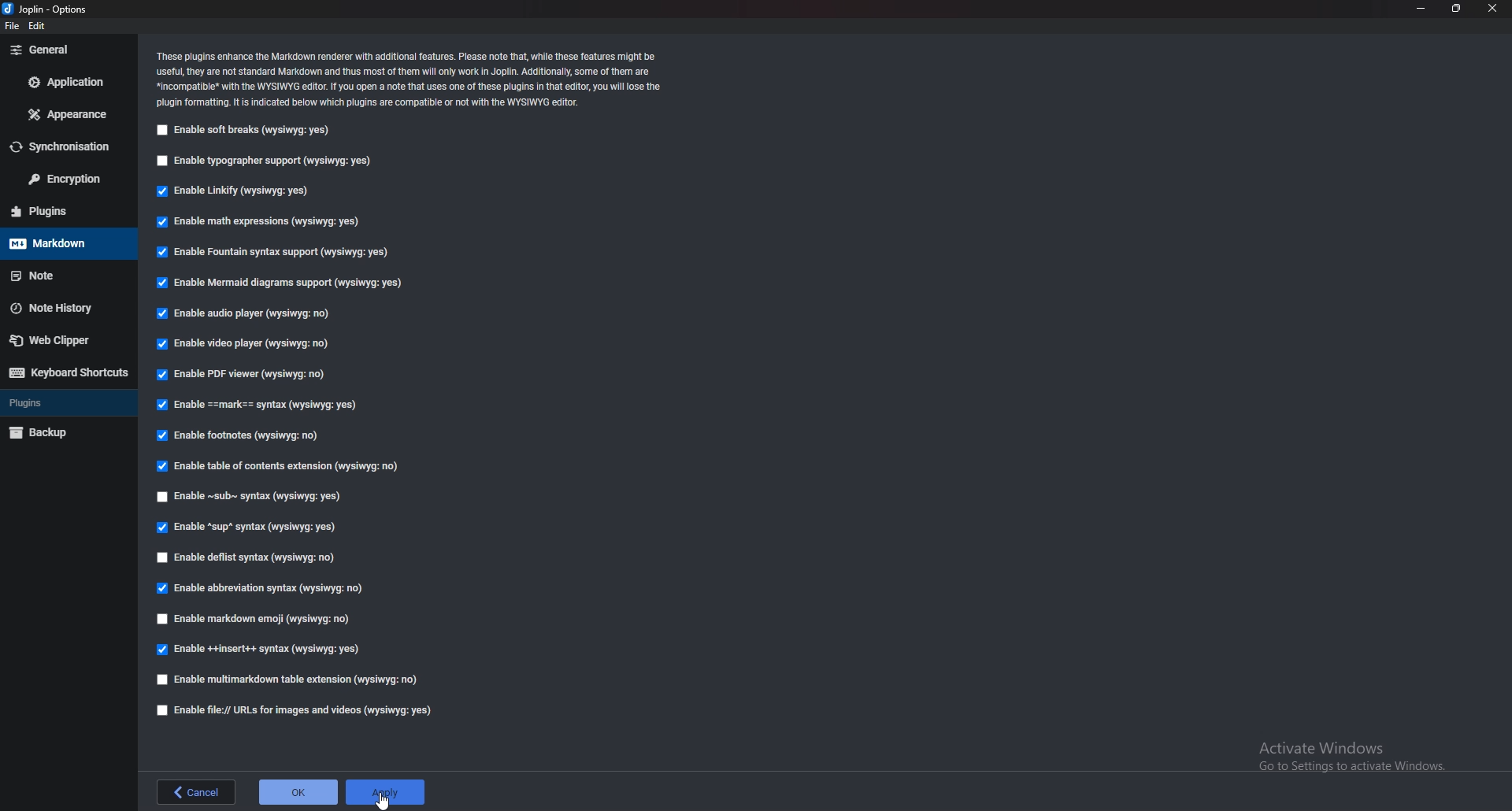 Image resolution: width=1512 pixels, height=811 pixels. Describe the element at coordinates (247, 528) in the screenshot. I see `enable sup syntax` at that location.